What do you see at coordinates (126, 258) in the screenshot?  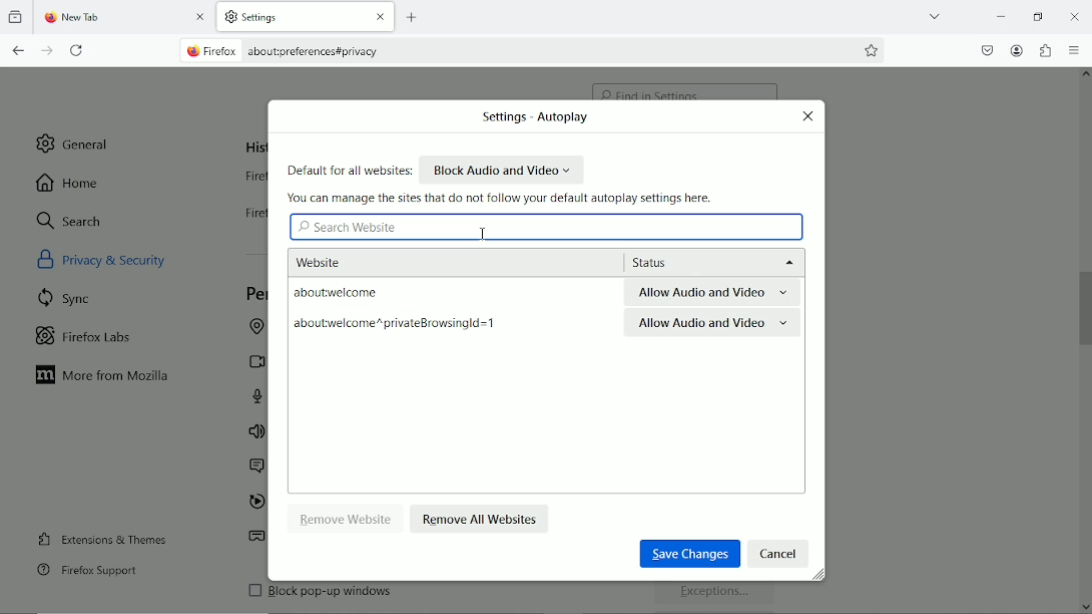 I see `privacy & security` at bounding box center [126, 258].